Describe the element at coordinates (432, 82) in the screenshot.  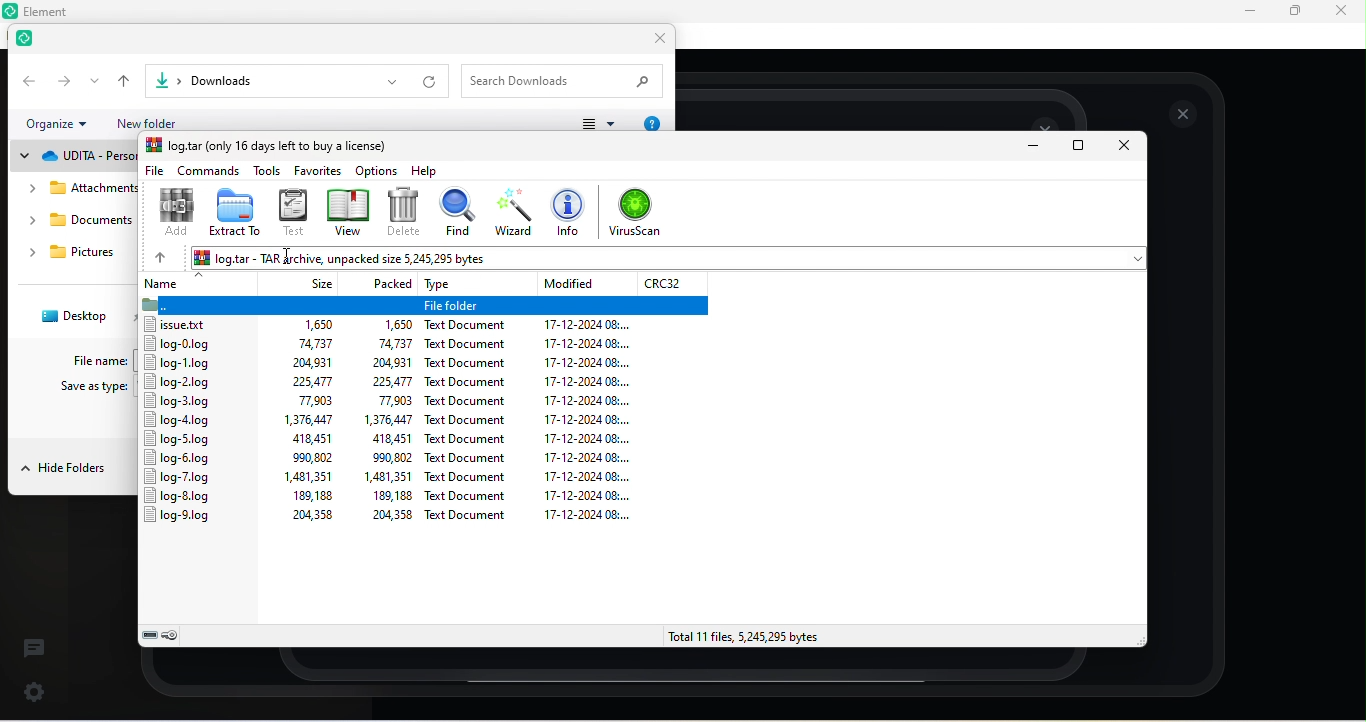
I see `refresh` at that location.